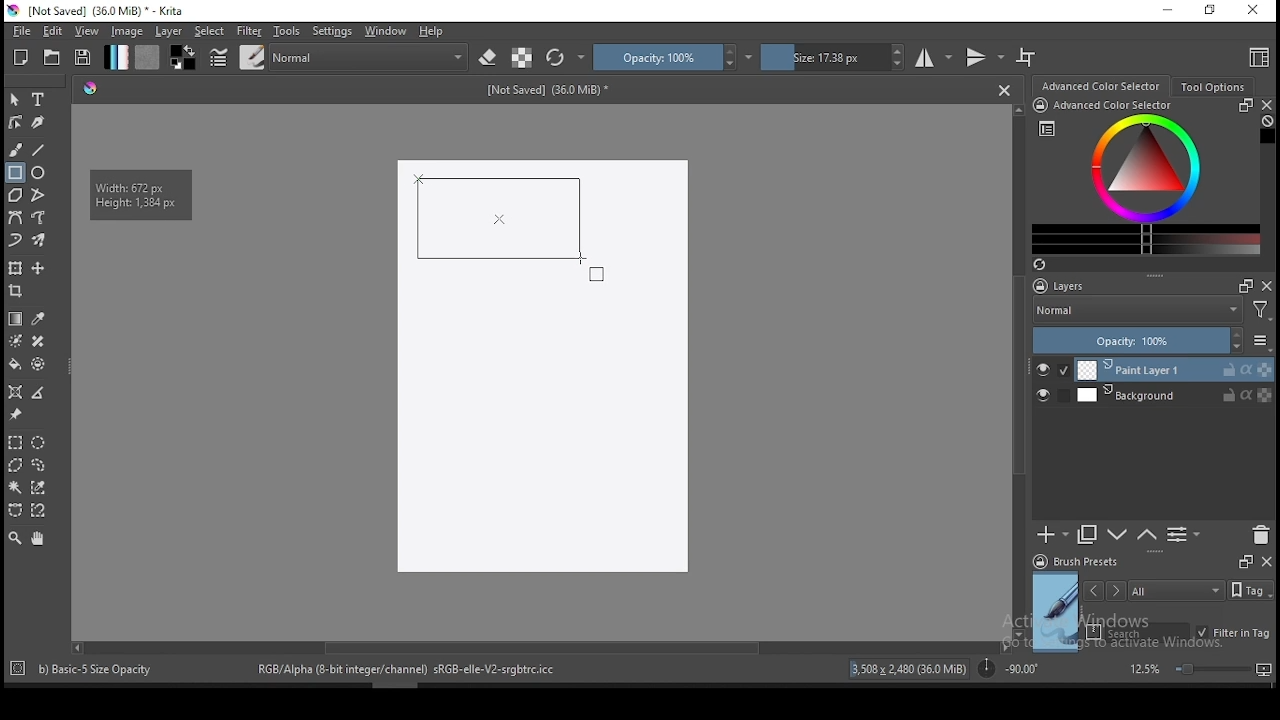  Describe the element at coordinates (16, 489) in the screenshot. I see `contiguous selection tool` at that location.